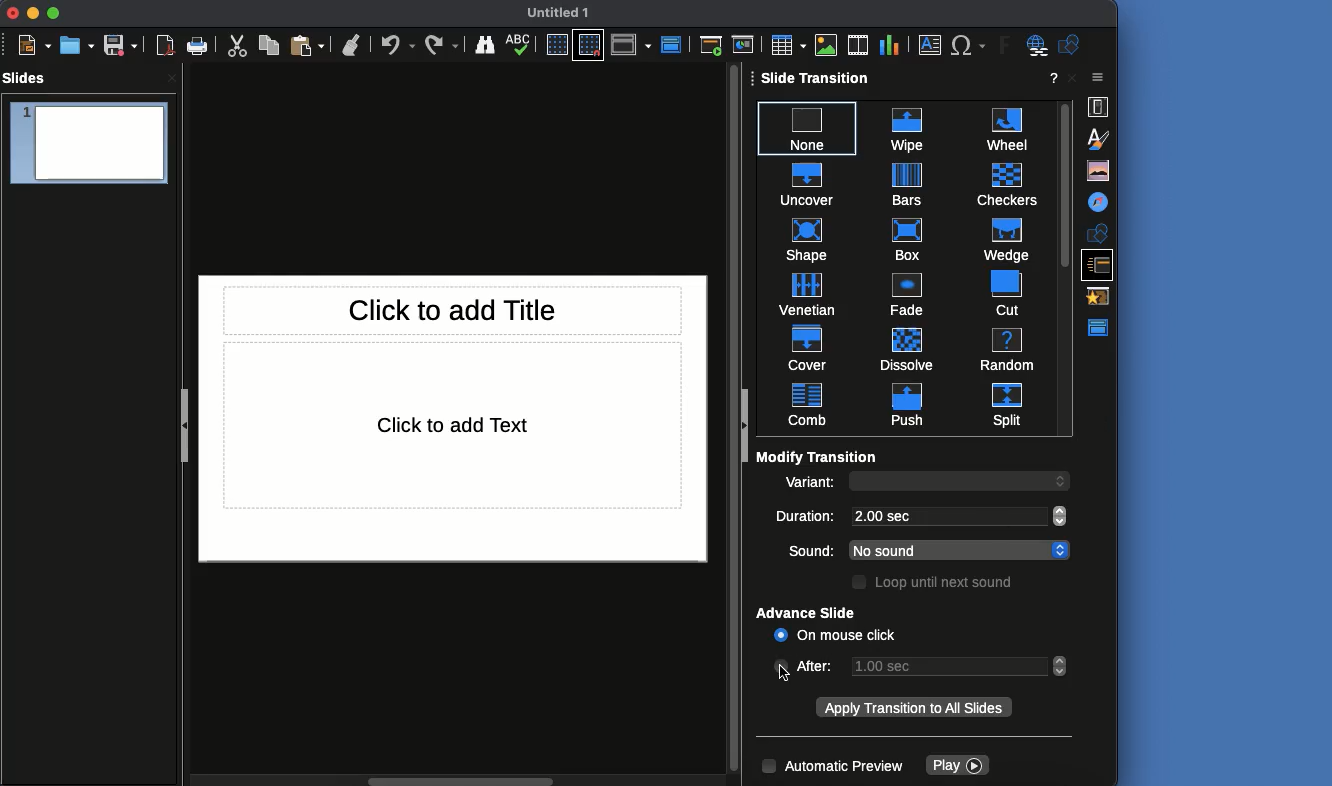 The height and width of the screenshot is (786, 1332). I want to click on Open, so click(78, 43).